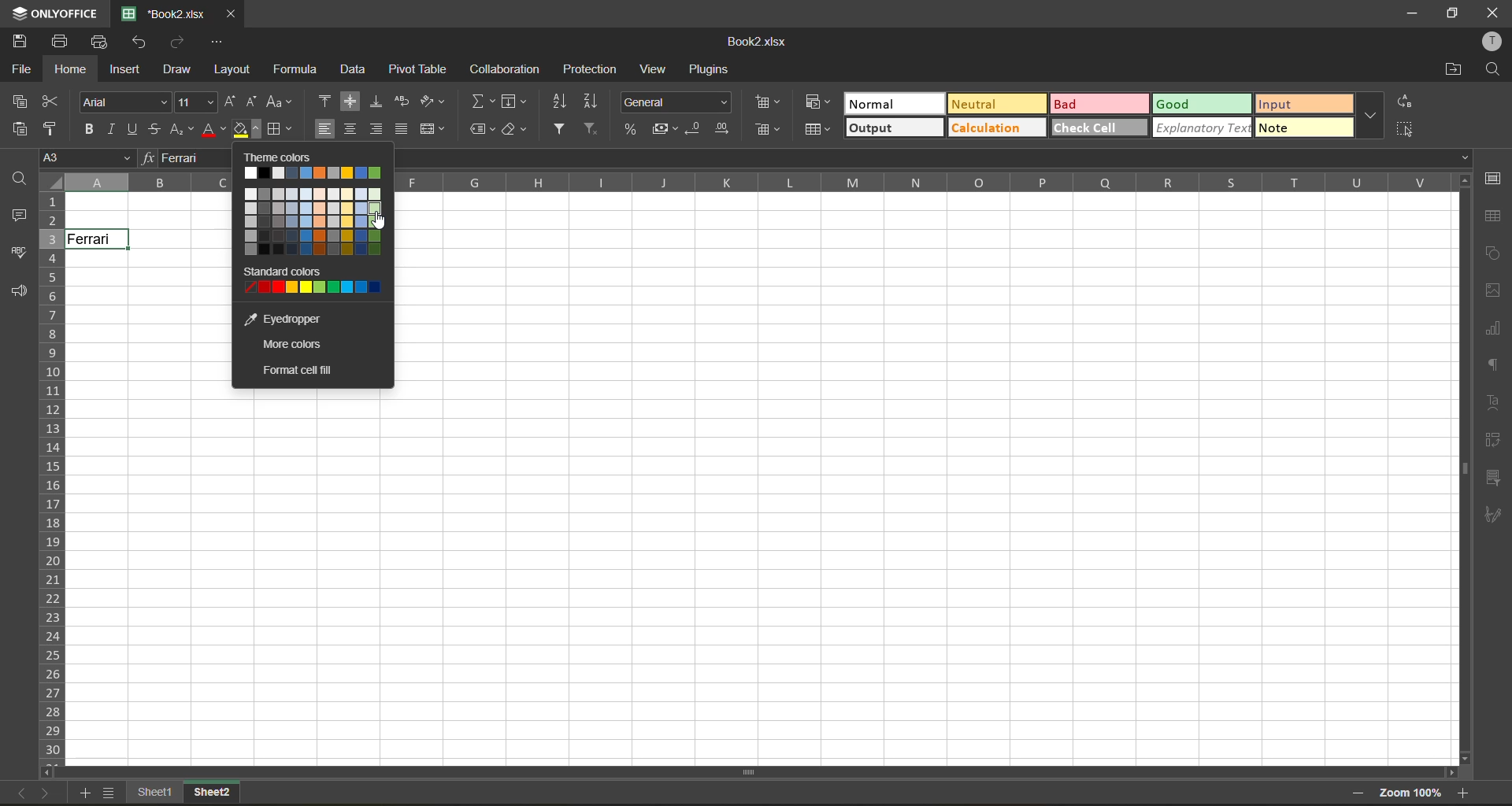 The height and width of the screenshot is (806, 1512). I want to click on decrement size, so click(254, 102).